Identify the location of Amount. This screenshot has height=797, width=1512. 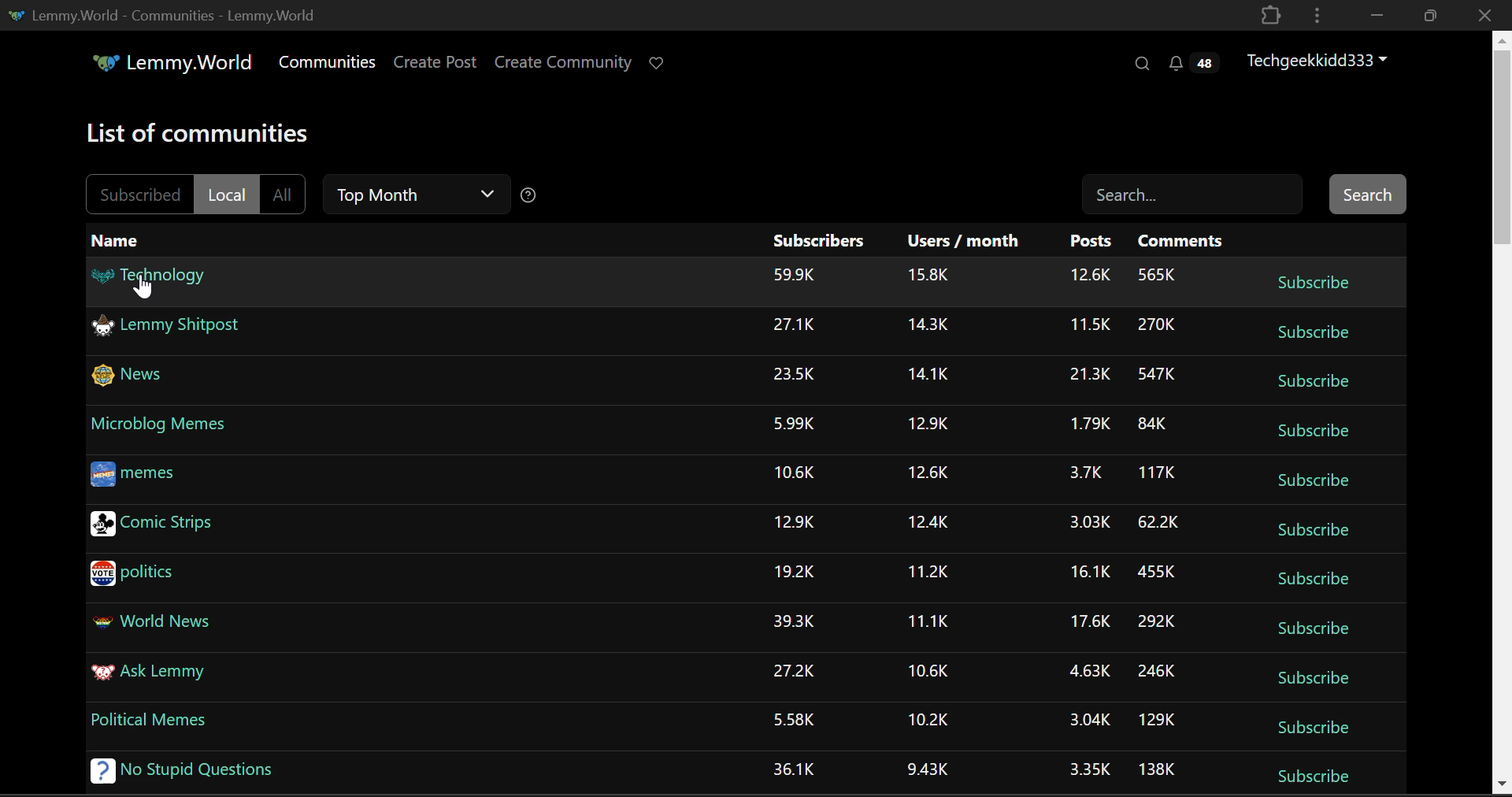
(1091, 623).